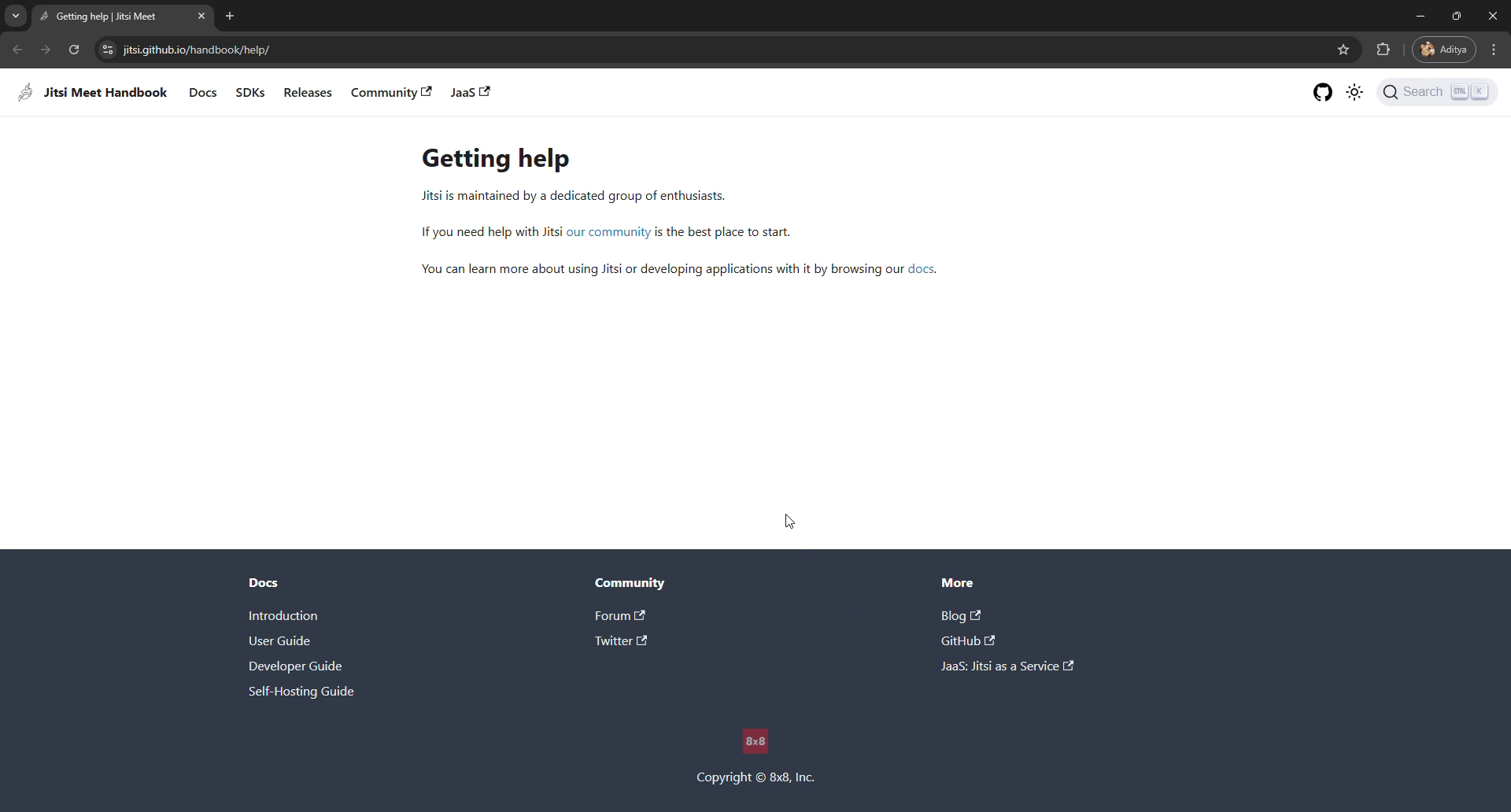  I want to click on Jitsi is maintained by a dedicated group of enthusiasts., so click(561, 196).